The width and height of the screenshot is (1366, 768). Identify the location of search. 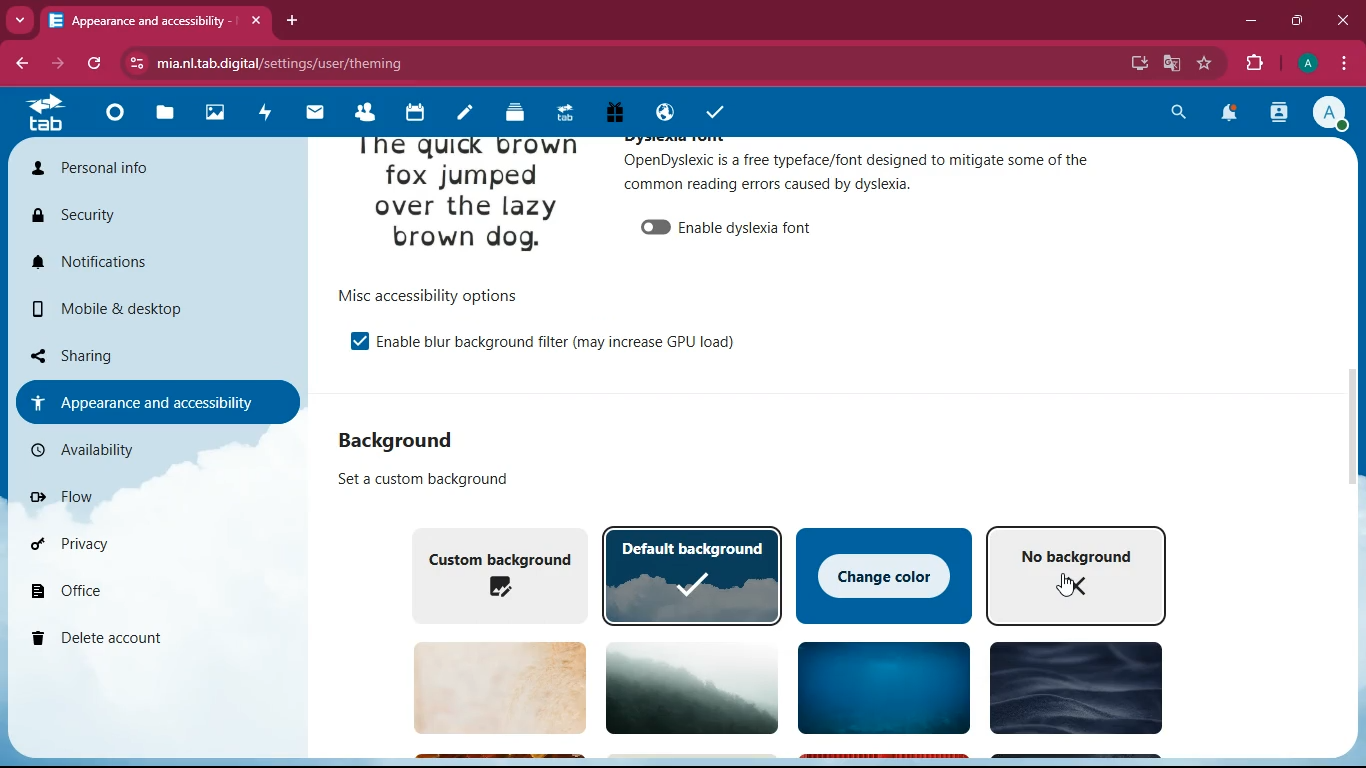
(1181, 112).